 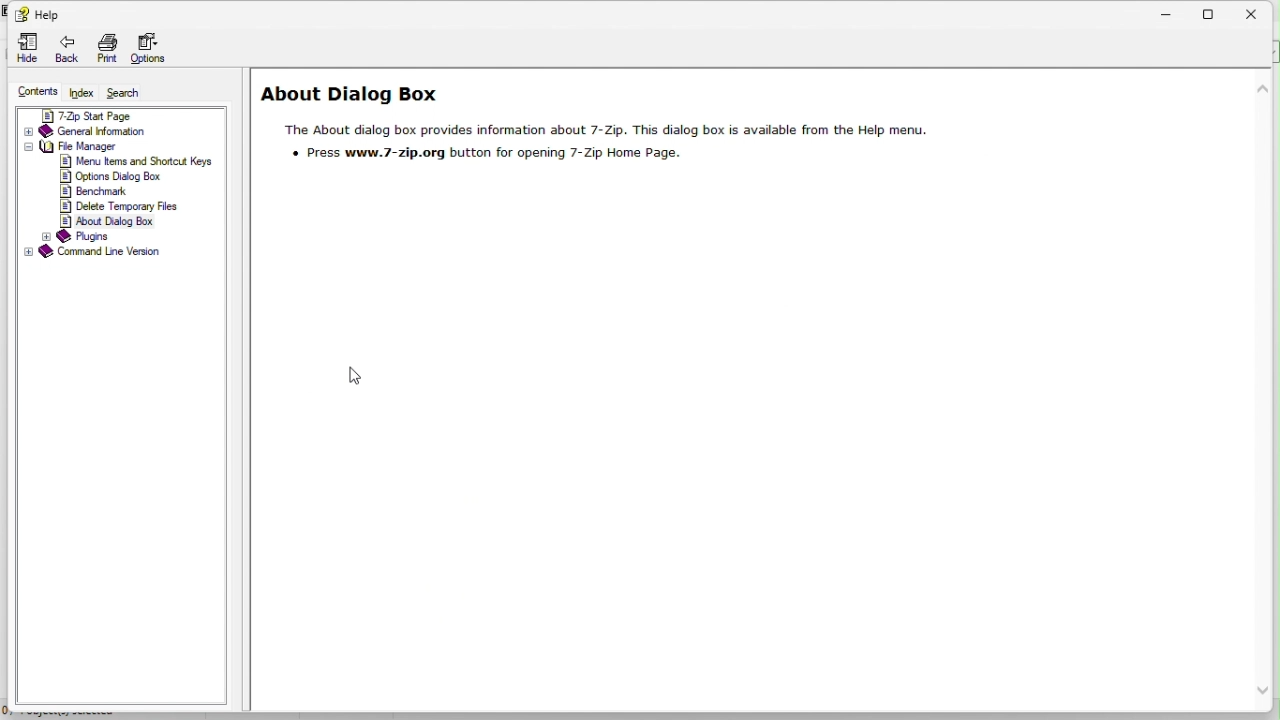 What do you see at coordinates (68, 48) in the screenshot?
I see `Back` at bounding box center [68, 48].